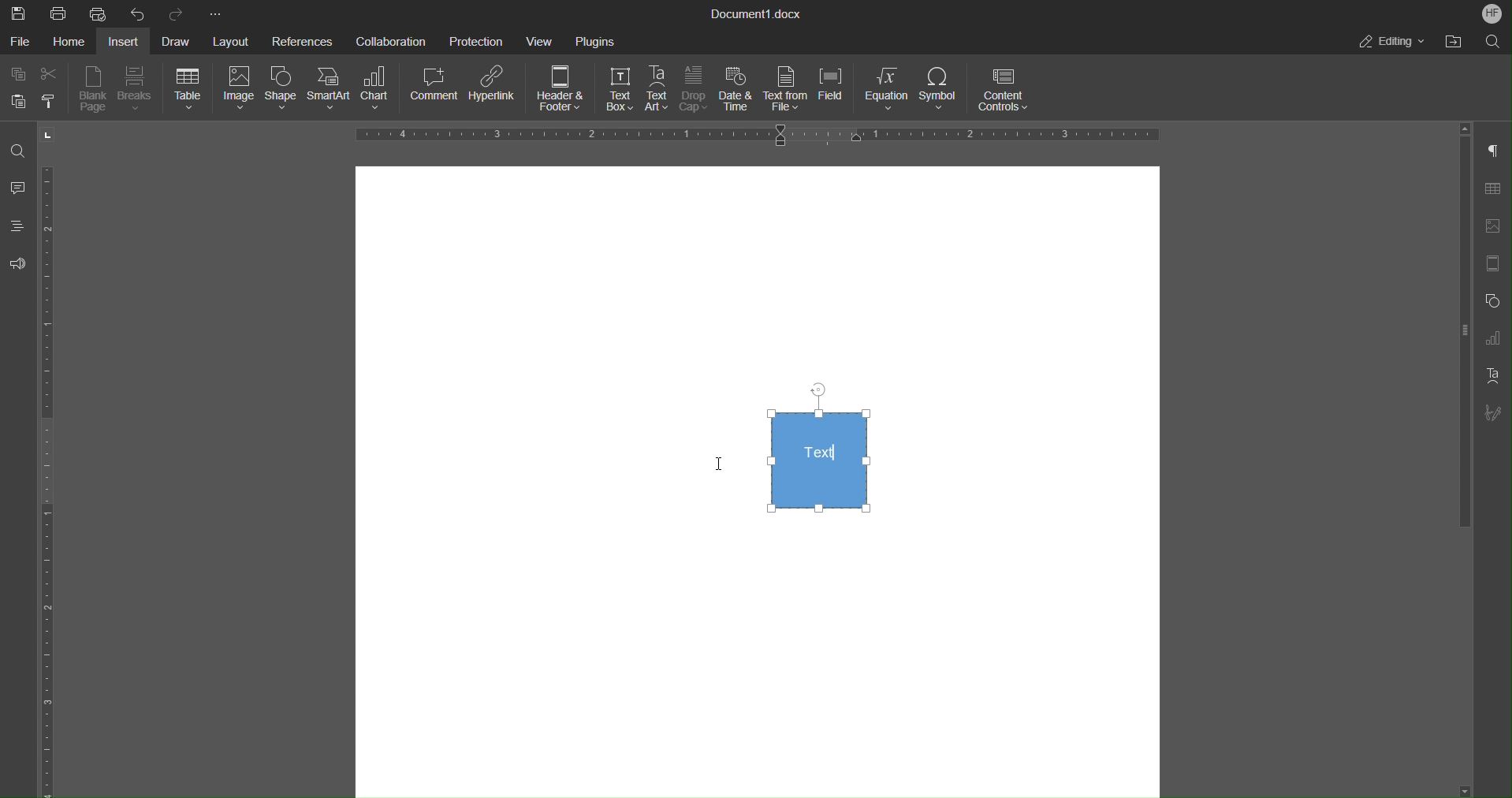  Describe the element at coordinates (941, 91) in the screenshot. I see `Symbol` at that location.